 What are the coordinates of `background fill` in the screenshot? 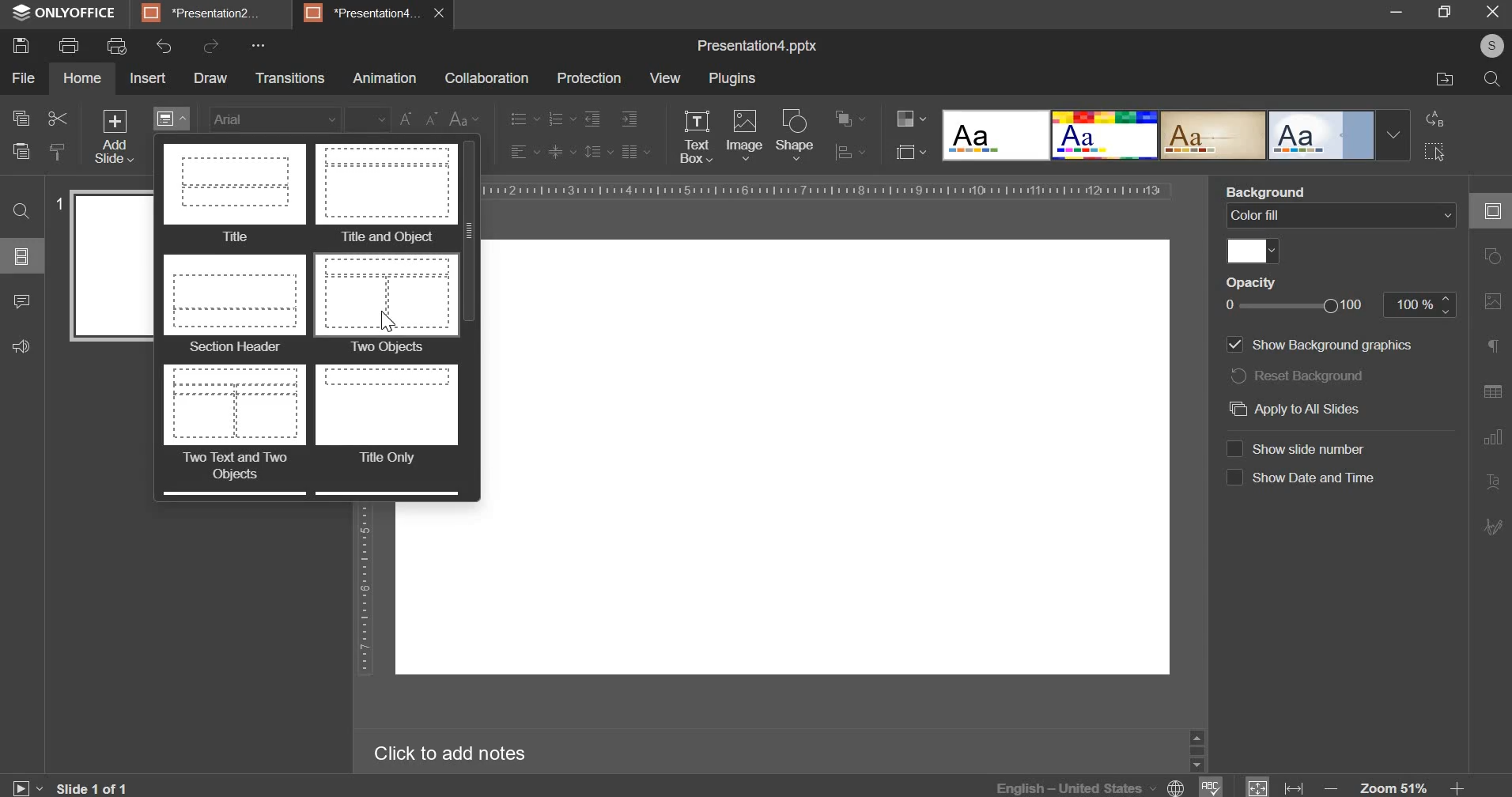 It's located at (1341, 215).